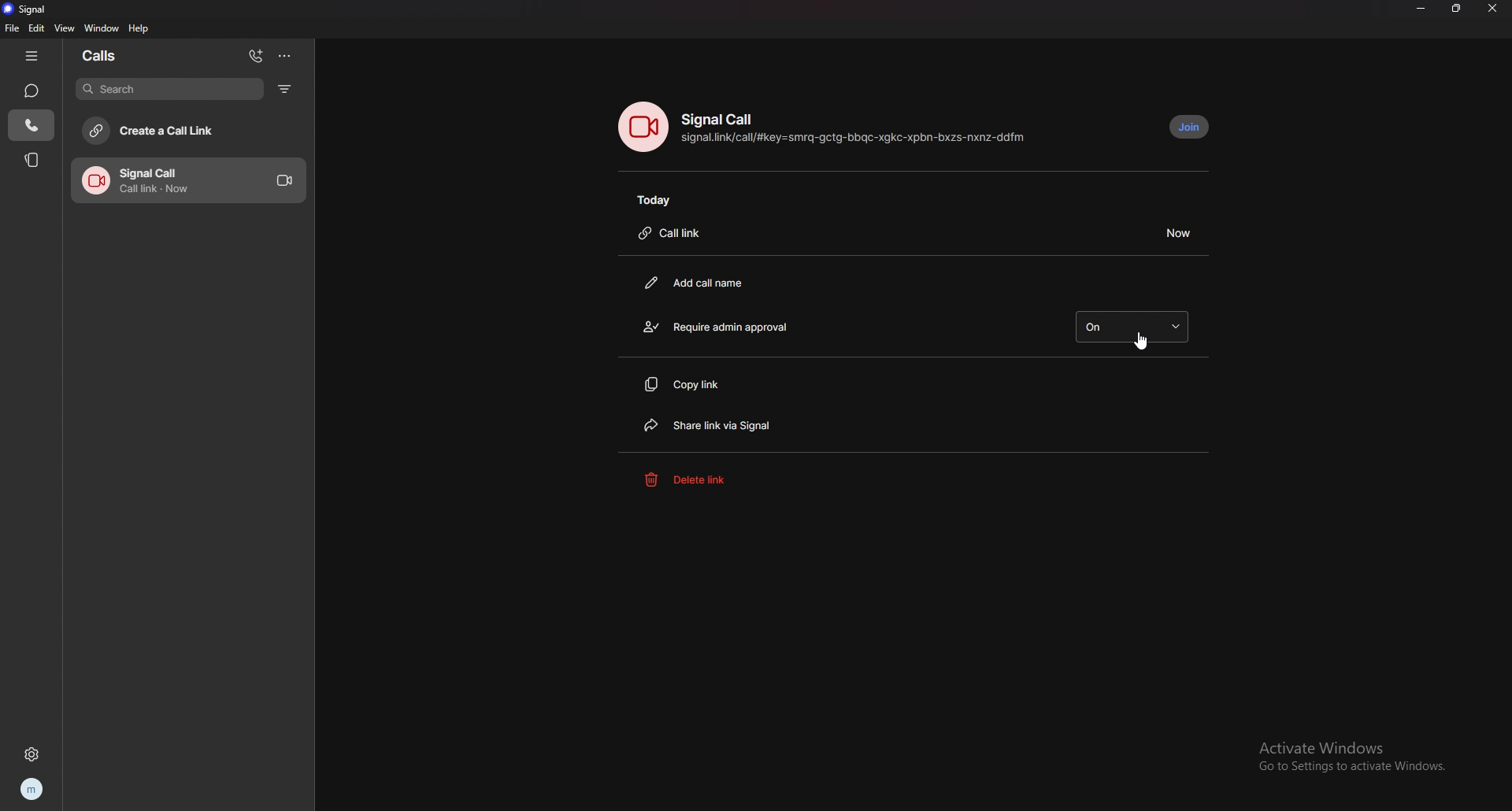  Describe the element at coordinates (31, 754) in the screenshot. I see `settings` at that location.